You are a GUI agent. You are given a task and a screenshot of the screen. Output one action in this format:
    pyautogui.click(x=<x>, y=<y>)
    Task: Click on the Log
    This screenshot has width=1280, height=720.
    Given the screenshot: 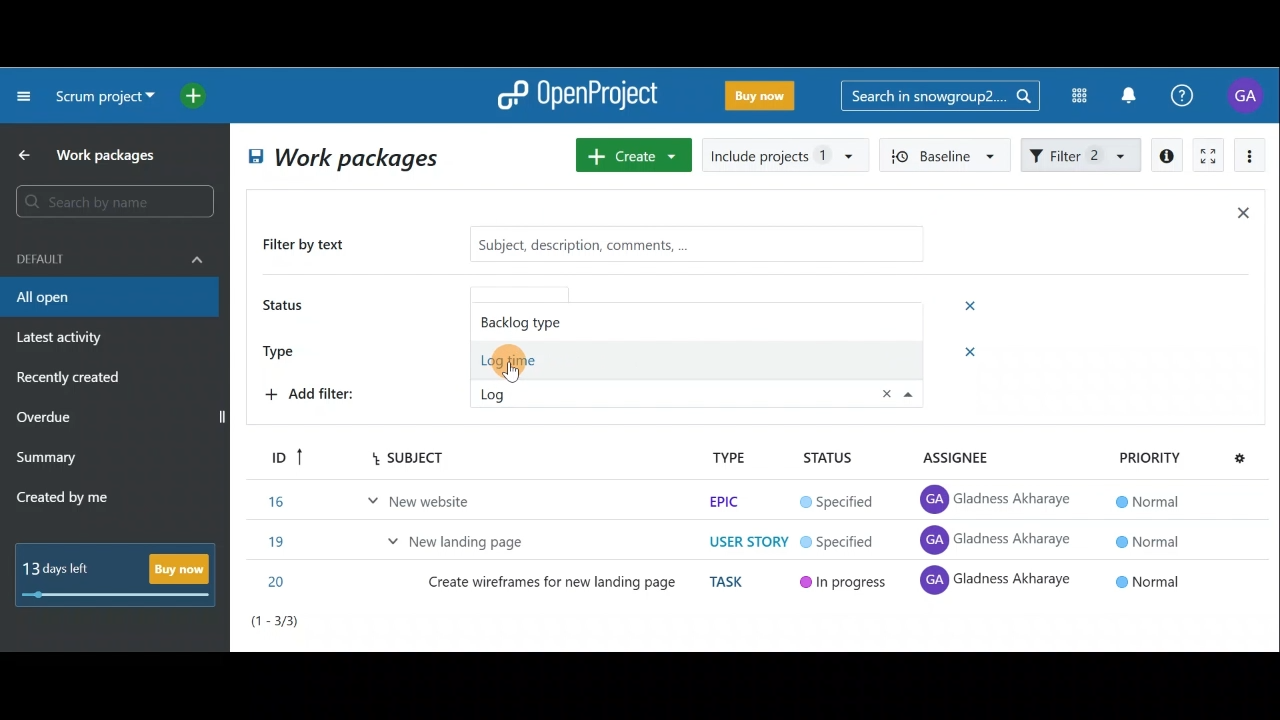 What is the action you would take?
    pyautogui.click(x=510, y=392)
    